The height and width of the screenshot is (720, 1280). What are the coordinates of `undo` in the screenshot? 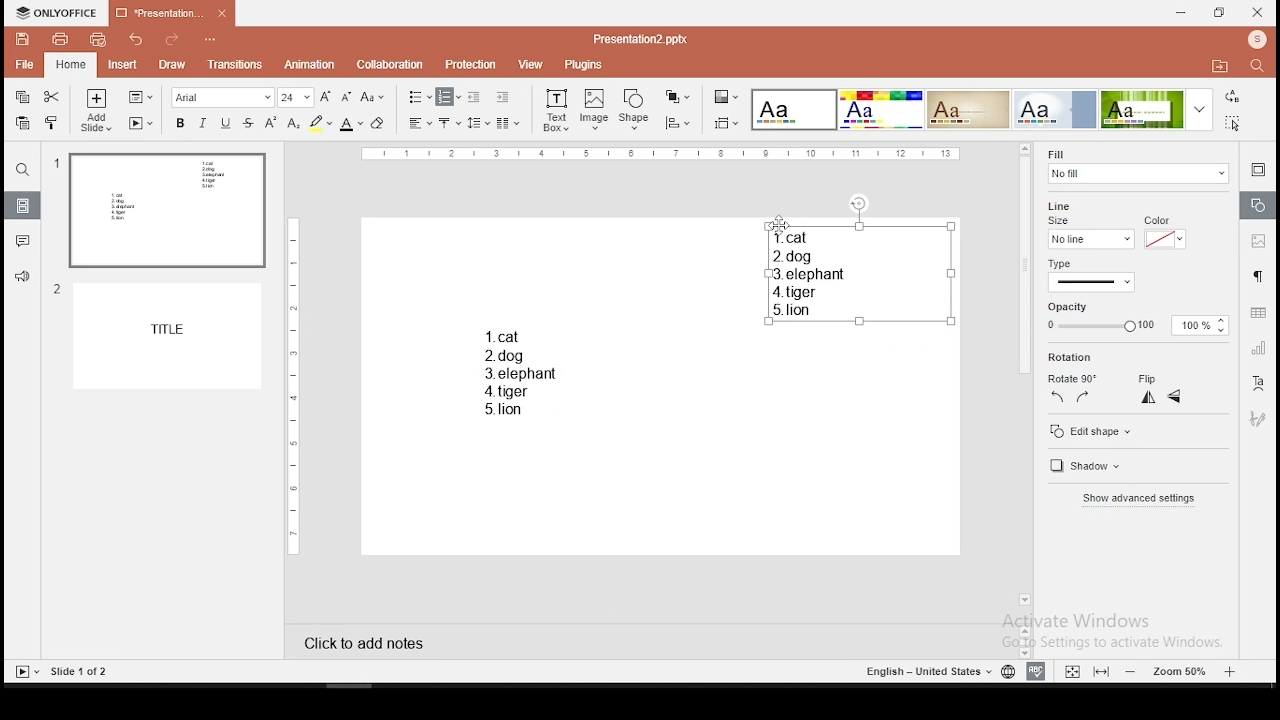 It's located at (137, 40).